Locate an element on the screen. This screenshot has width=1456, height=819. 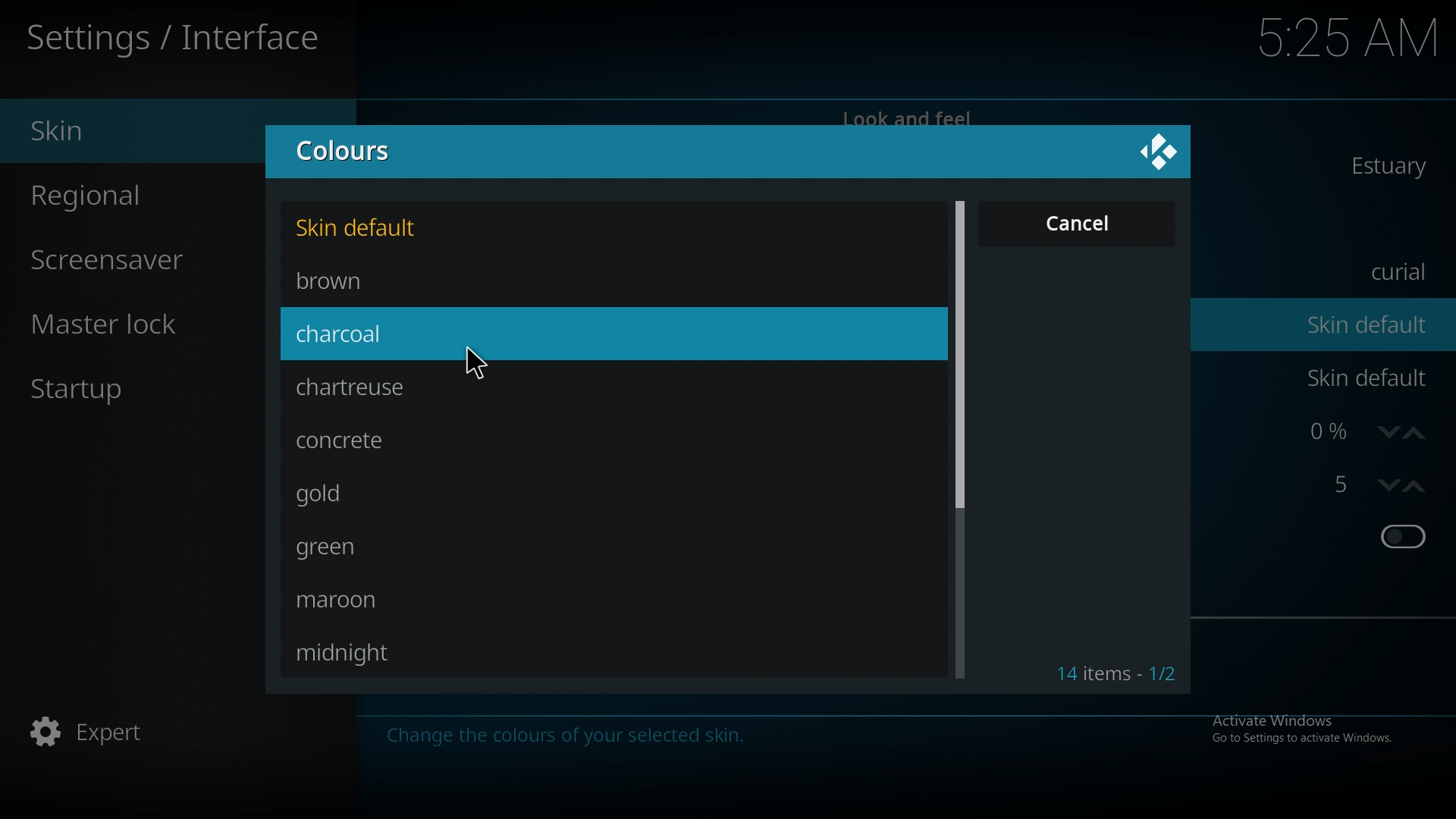
interface is located at coordinates (177, 33).